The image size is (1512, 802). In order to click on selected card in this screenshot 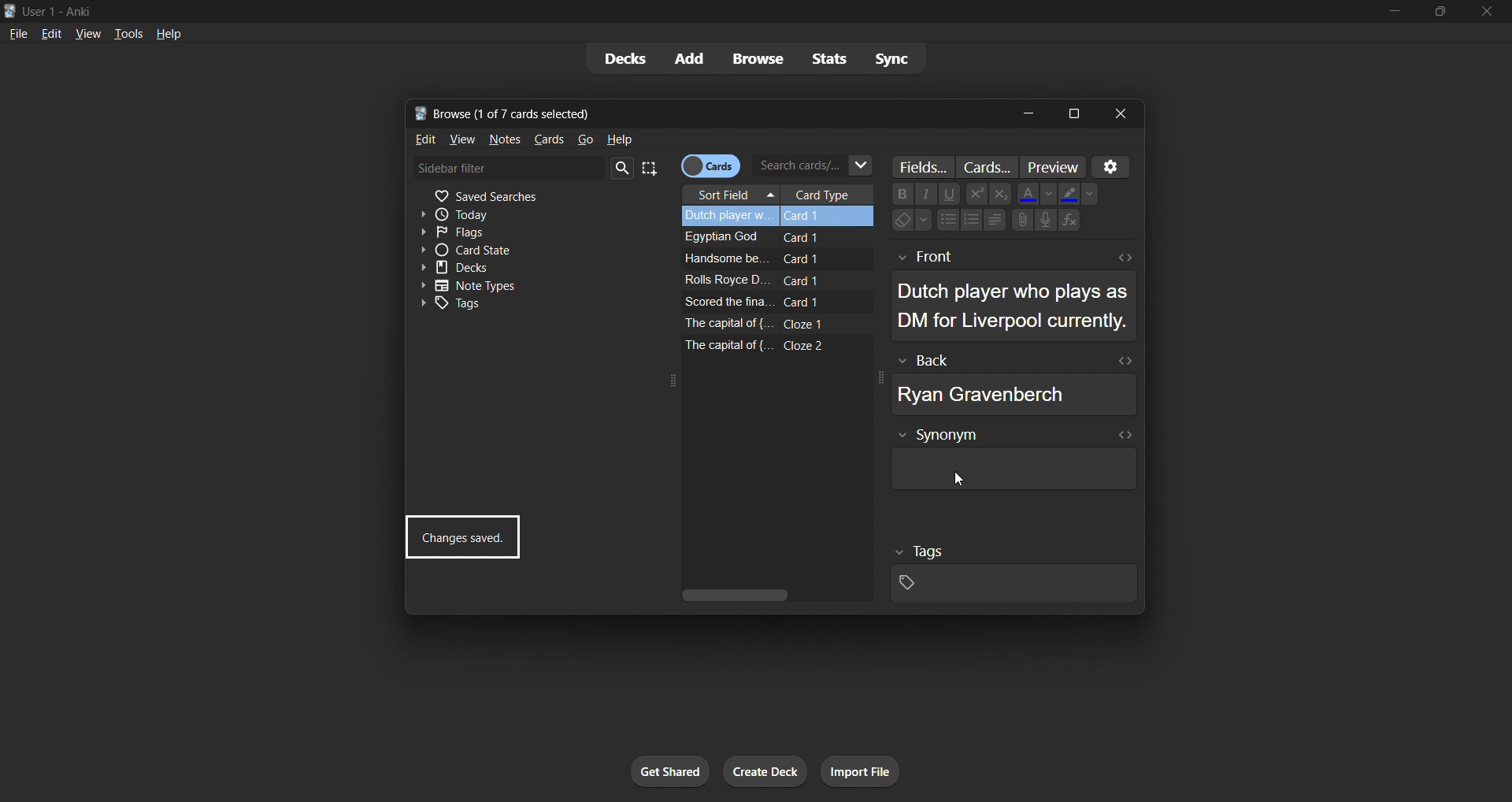, I will do `click(774, 216)`.